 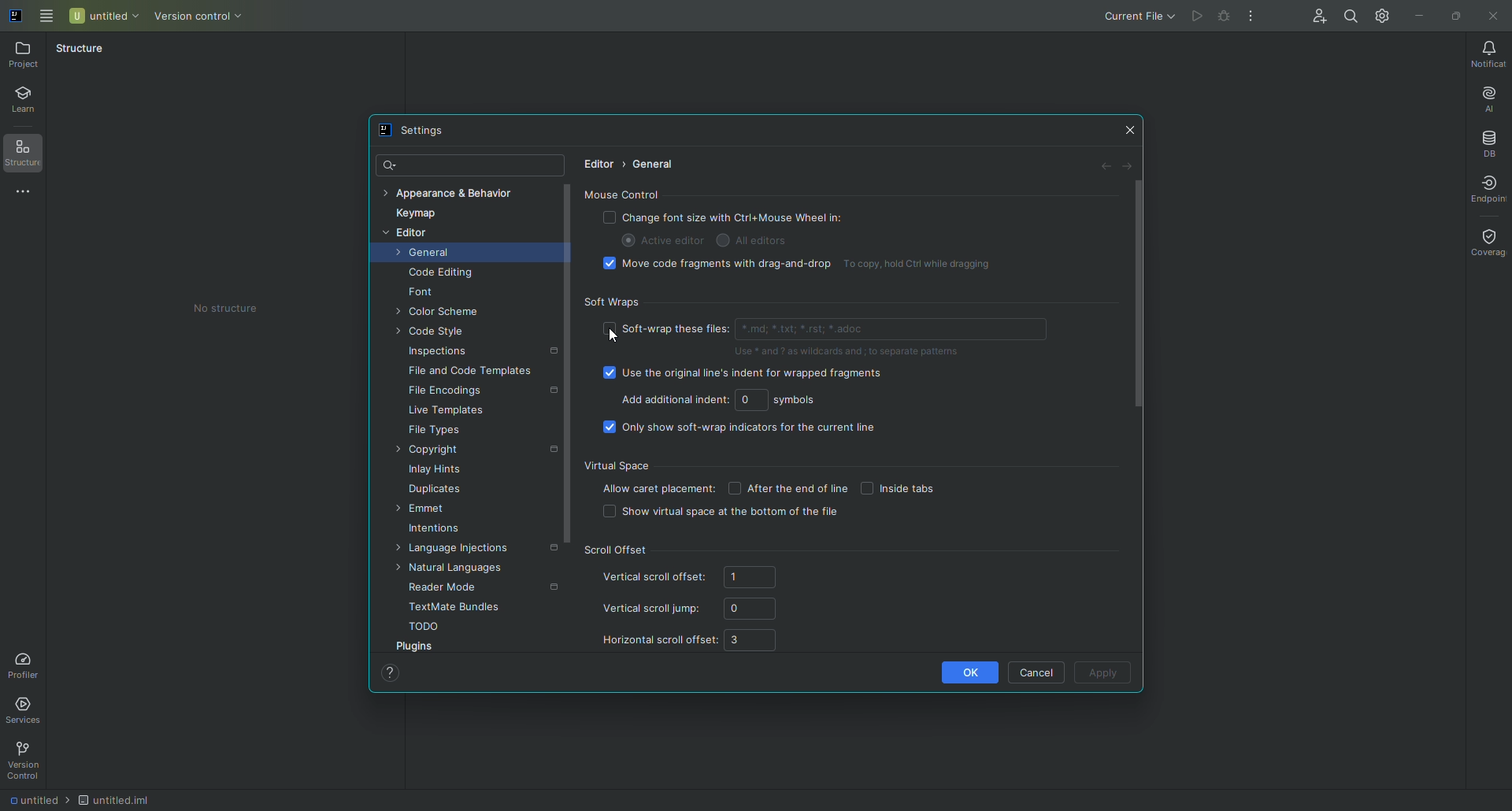 What do you see at coordinates (1037, 671) in the screenshot?
I see `Cancel` at bounding box center [1037, 671].